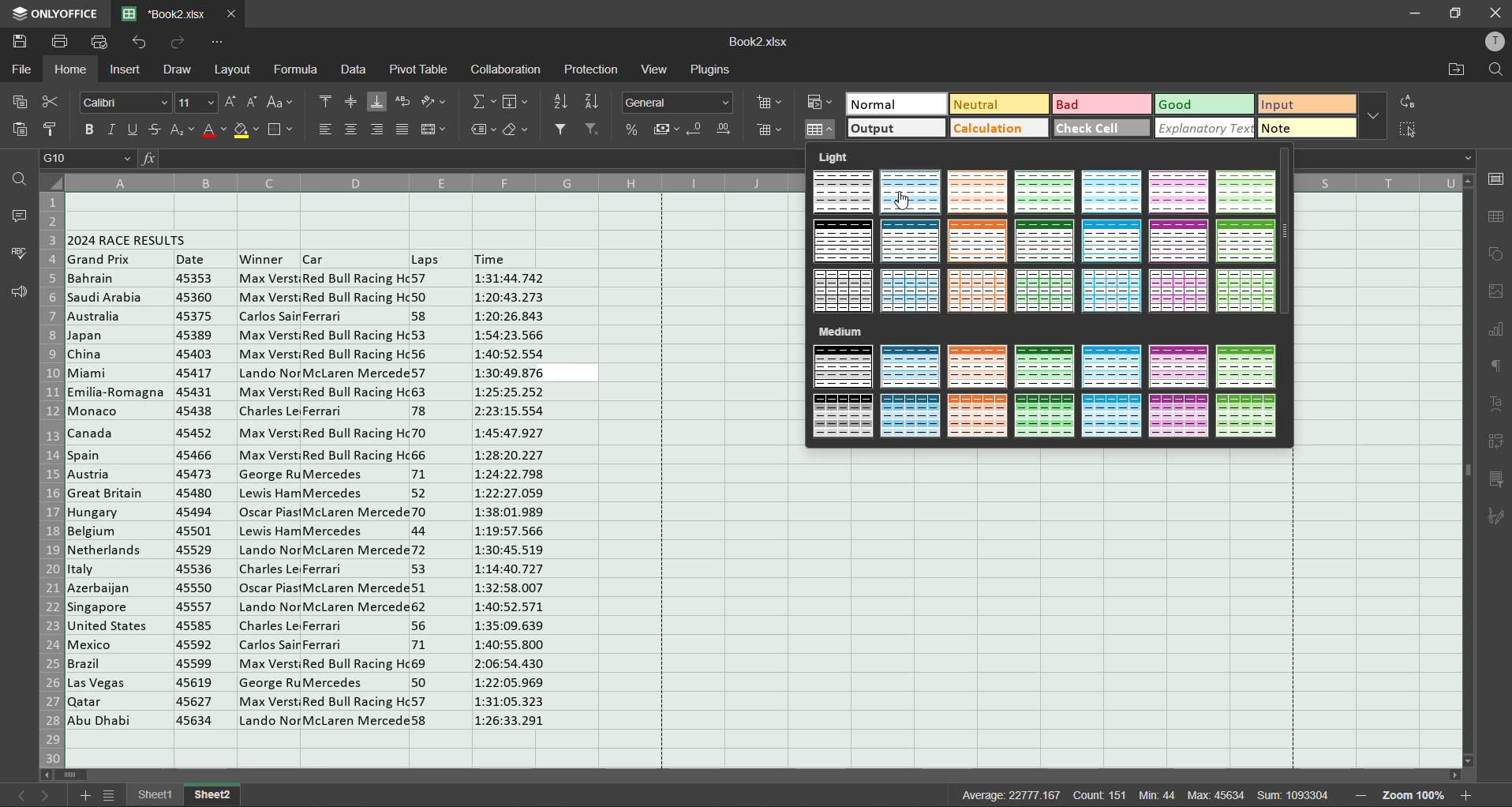 The image size is (1512, 807). What do you see at coordinates (832, 159) in the screenshot?
I see `light` at bounding box center [832, 159].